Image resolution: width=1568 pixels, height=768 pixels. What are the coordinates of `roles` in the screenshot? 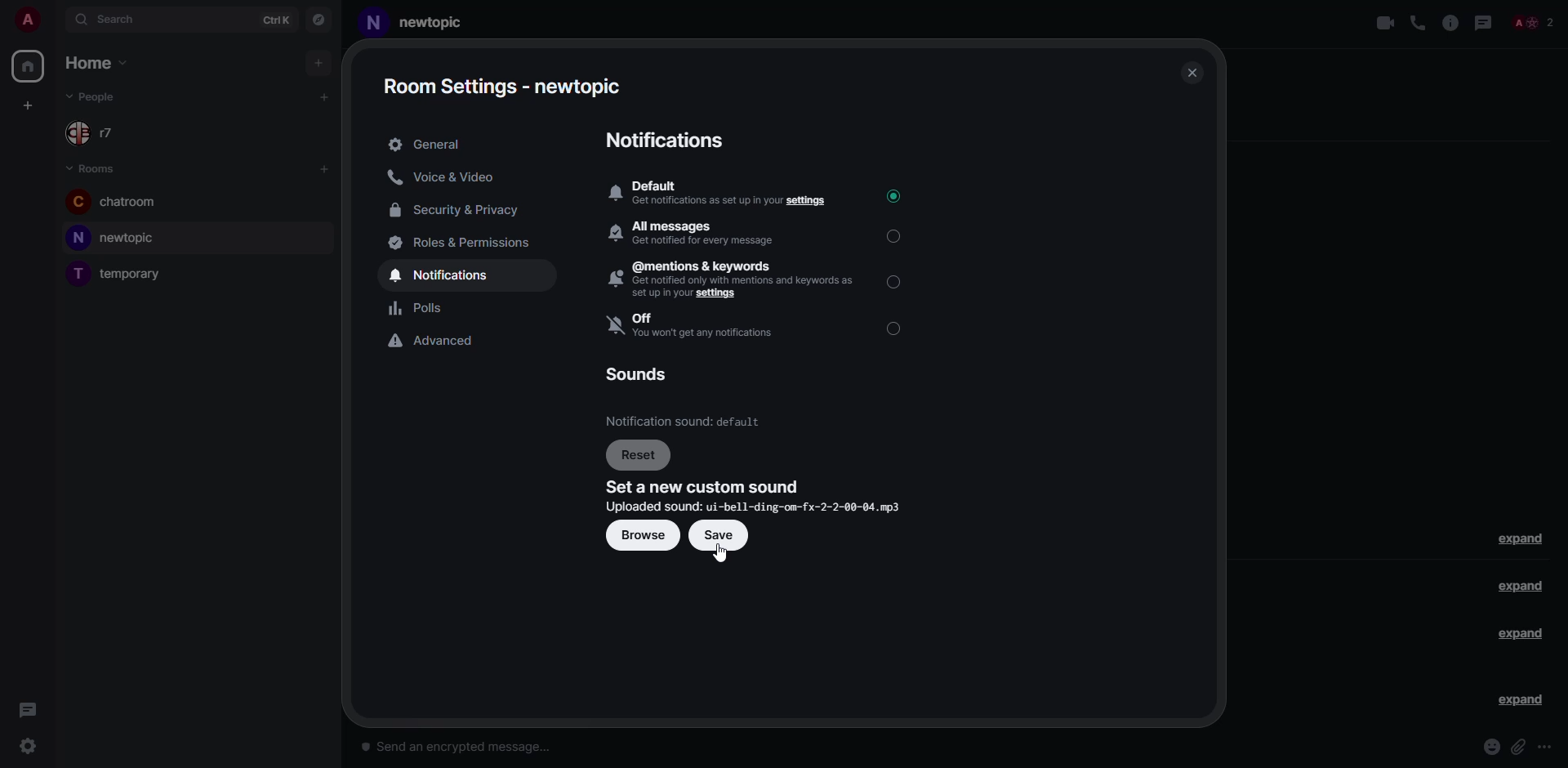 It's located at (465, 241).